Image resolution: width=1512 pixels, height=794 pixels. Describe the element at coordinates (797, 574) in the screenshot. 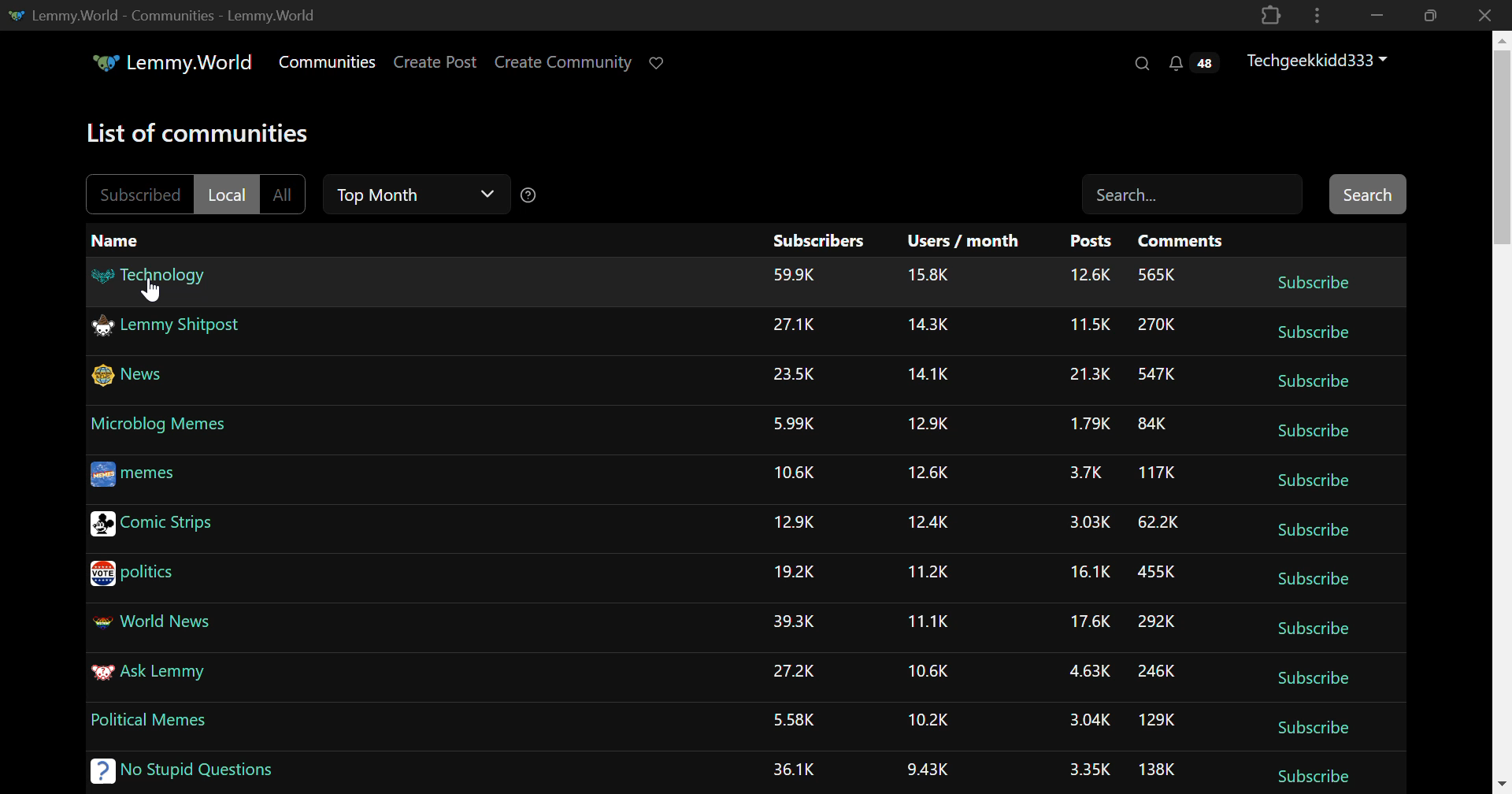

I see `19.2K` at that location.